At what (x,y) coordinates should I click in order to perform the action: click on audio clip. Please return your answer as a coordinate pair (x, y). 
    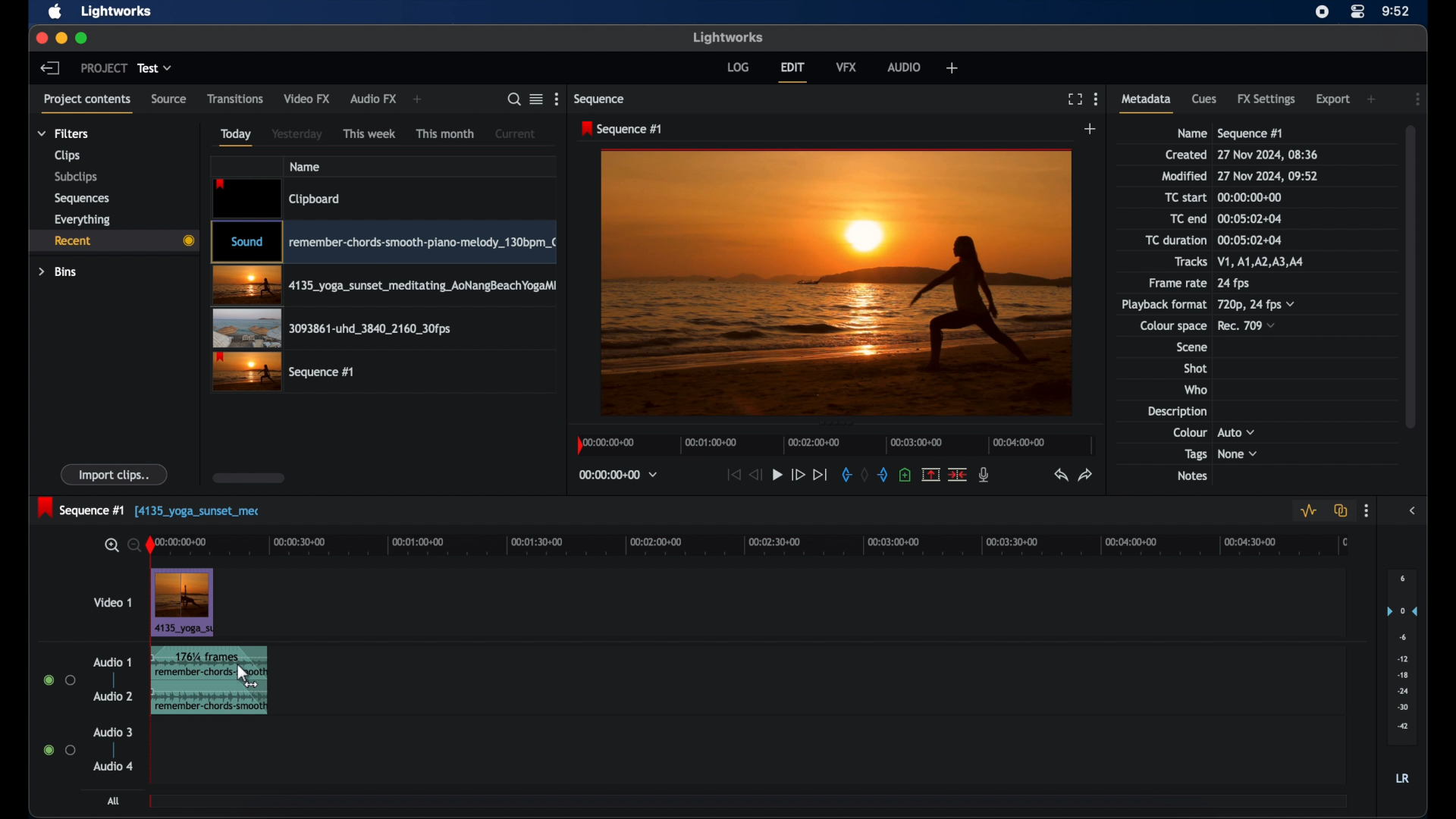
    Looking at the image, I should click on (188, 691).